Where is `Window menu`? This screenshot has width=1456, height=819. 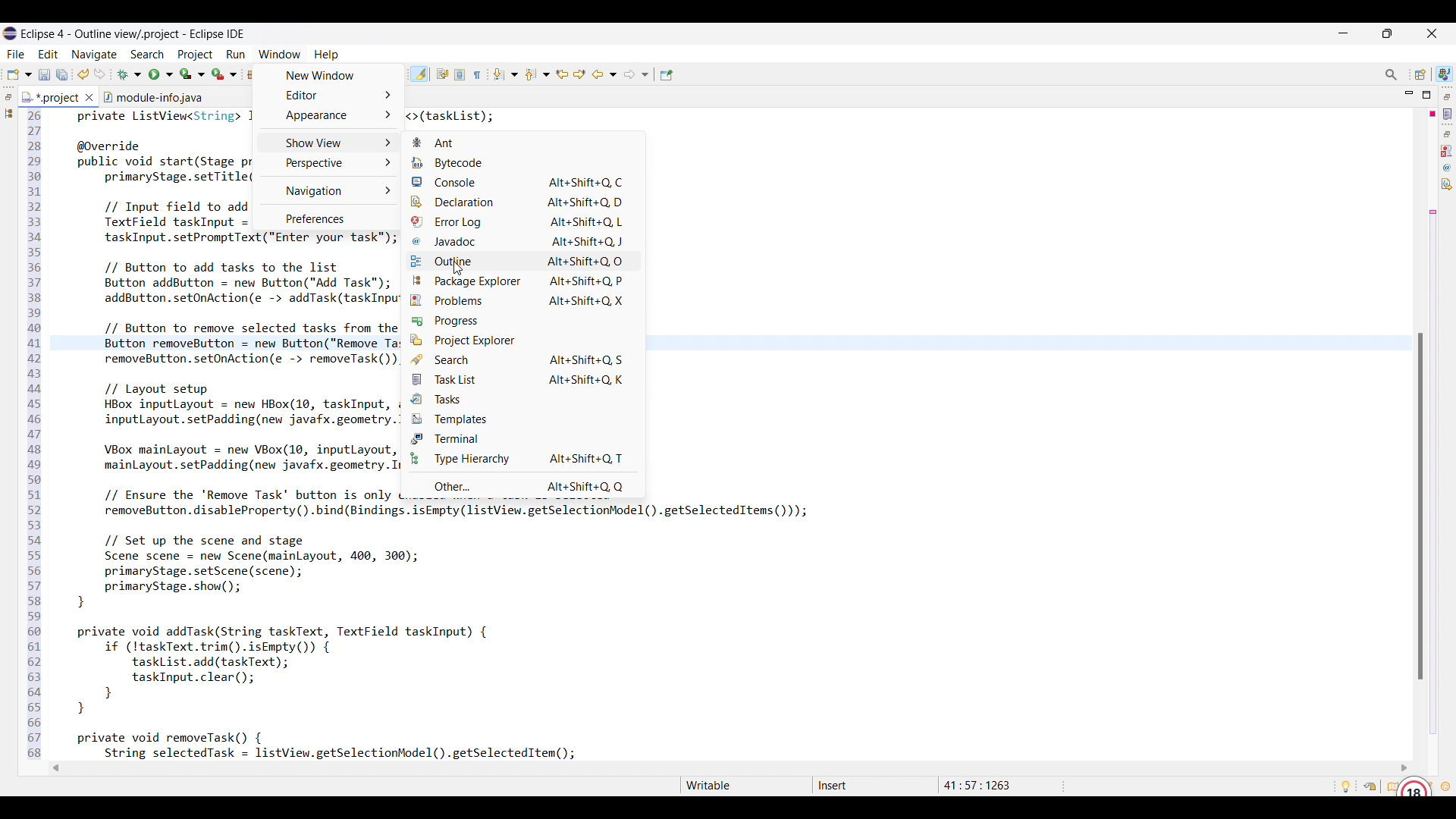
Window menu is located at coordinates (280, 54).